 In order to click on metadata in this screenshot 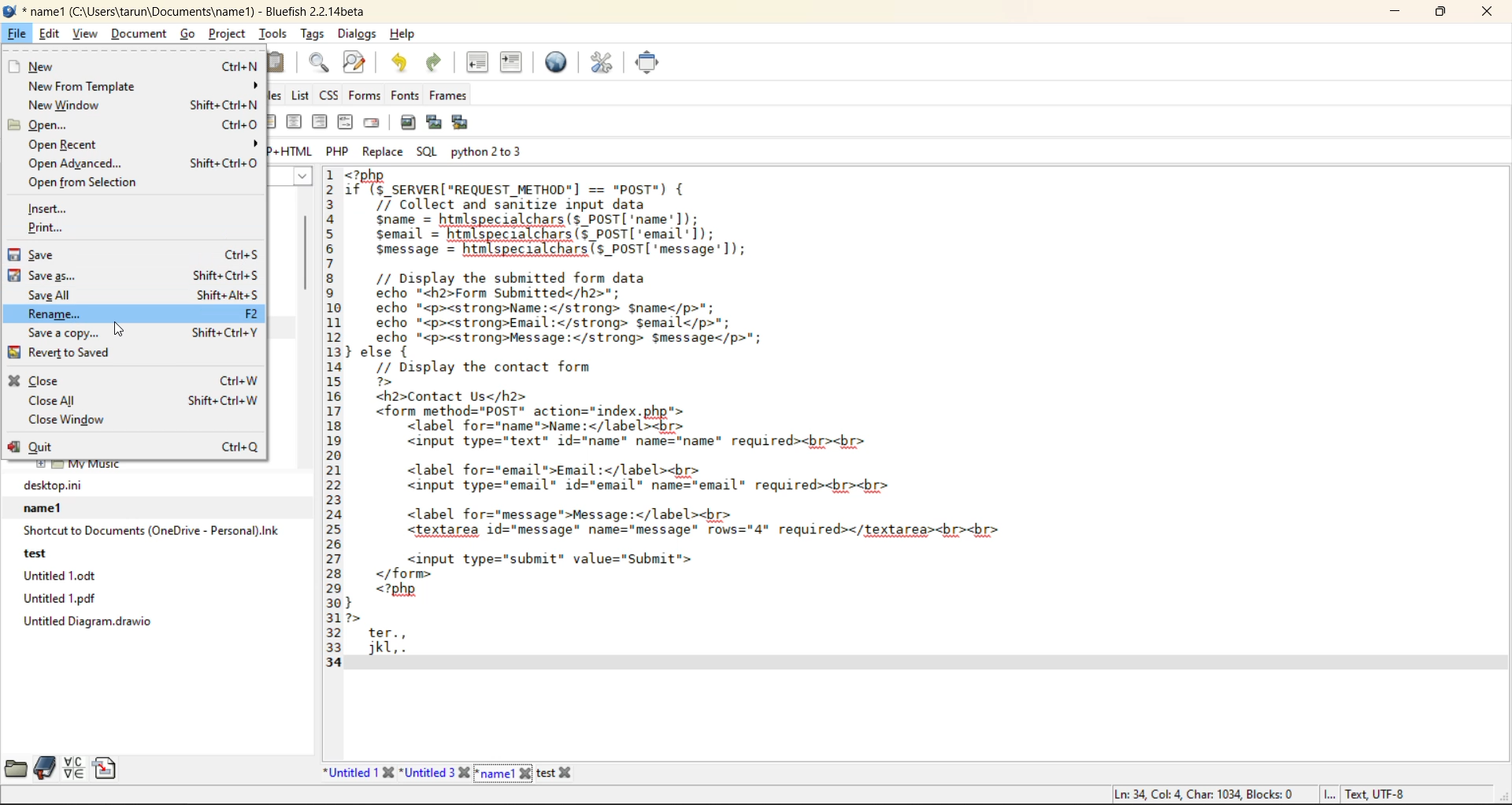, I will do `click(1259, 793)`.